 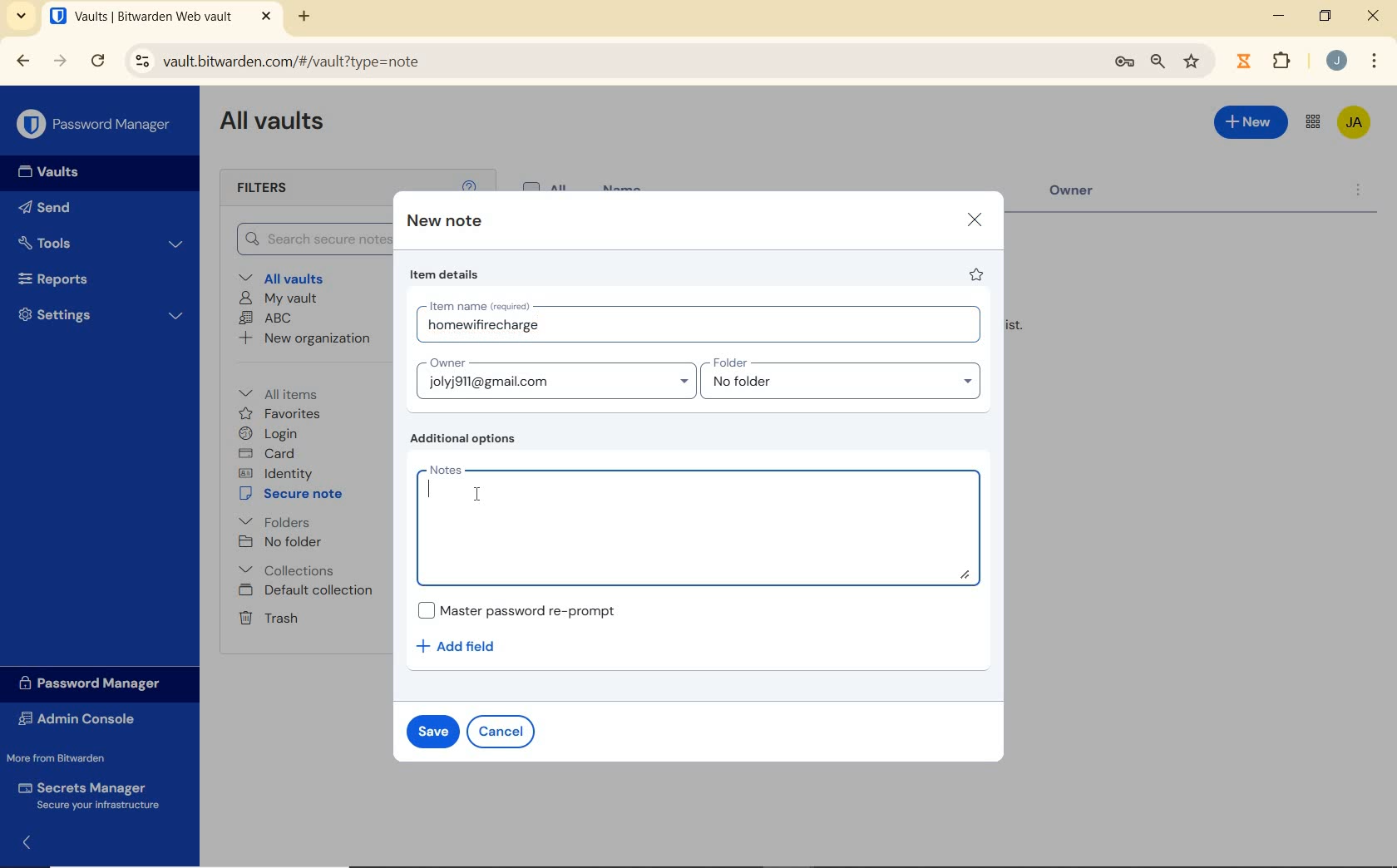 What do you see at coordinates (442, 221) in the screenshot?
I see `new note` at bounding box center [442, 221].